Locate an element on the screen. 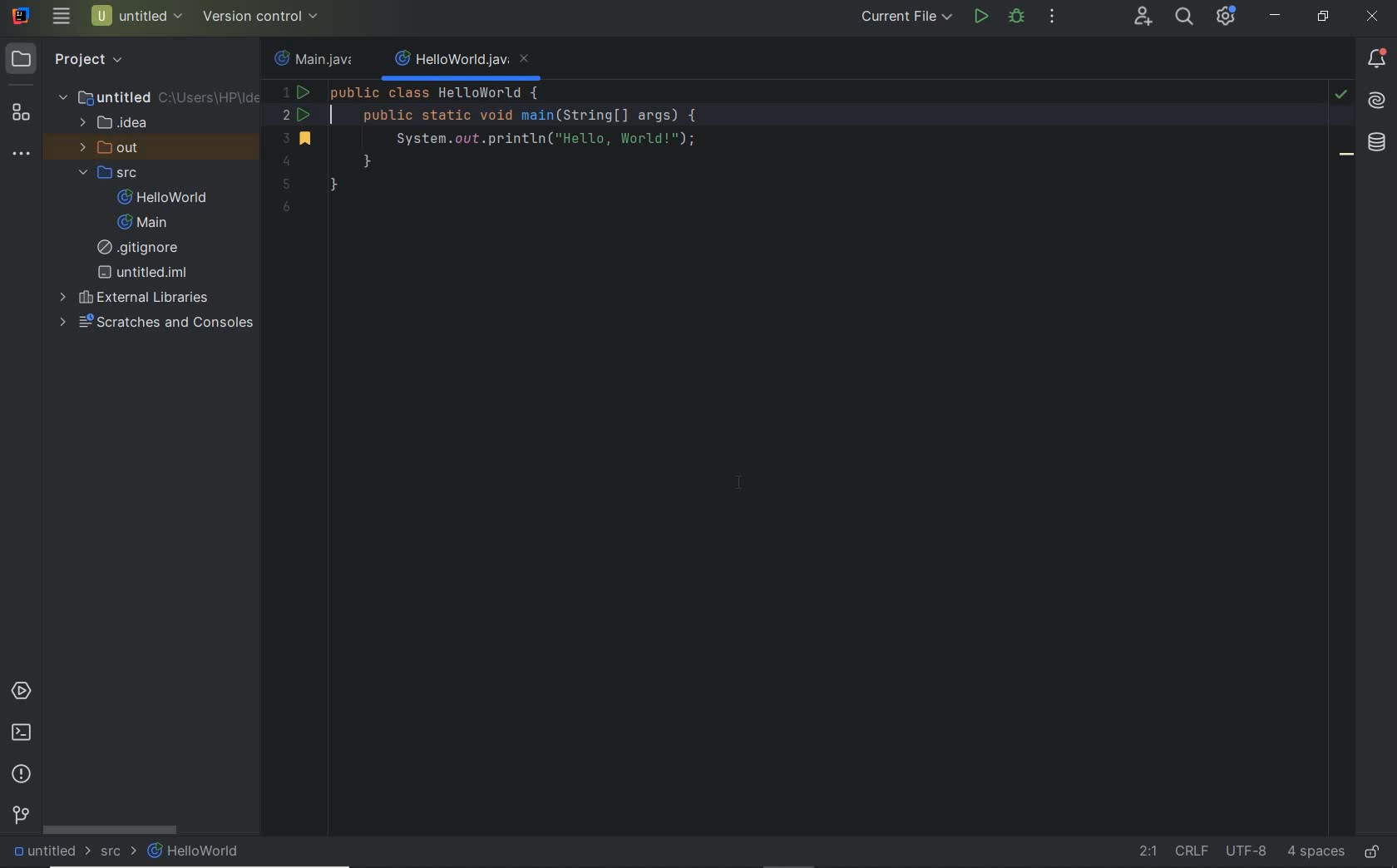 The width and height of the screenshot is (1397, 868). project is located at coordinates (72, 60).